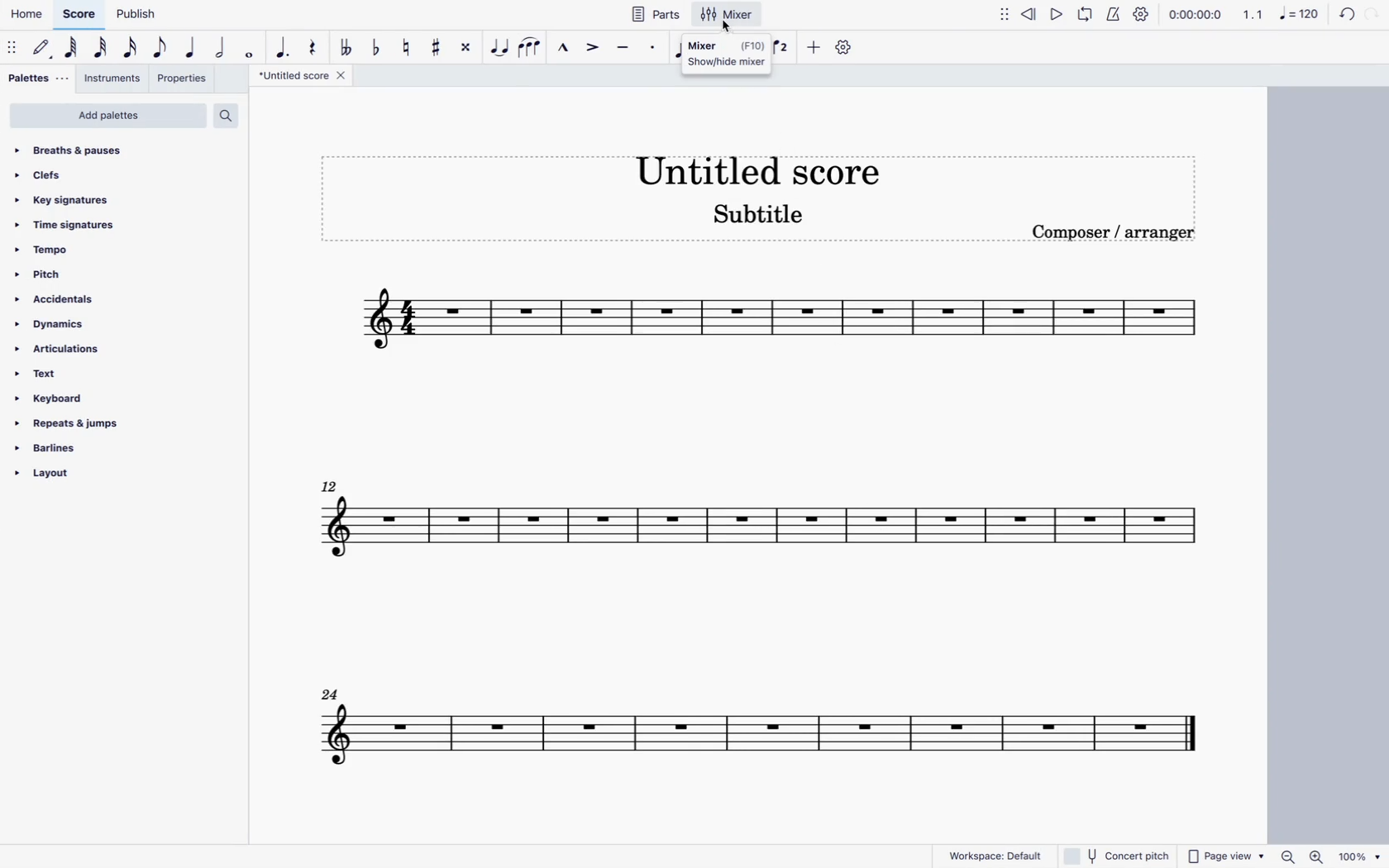 The height and width of the screenshot is (868, 1389). I want to click on toggle natural, so click(404, 46).